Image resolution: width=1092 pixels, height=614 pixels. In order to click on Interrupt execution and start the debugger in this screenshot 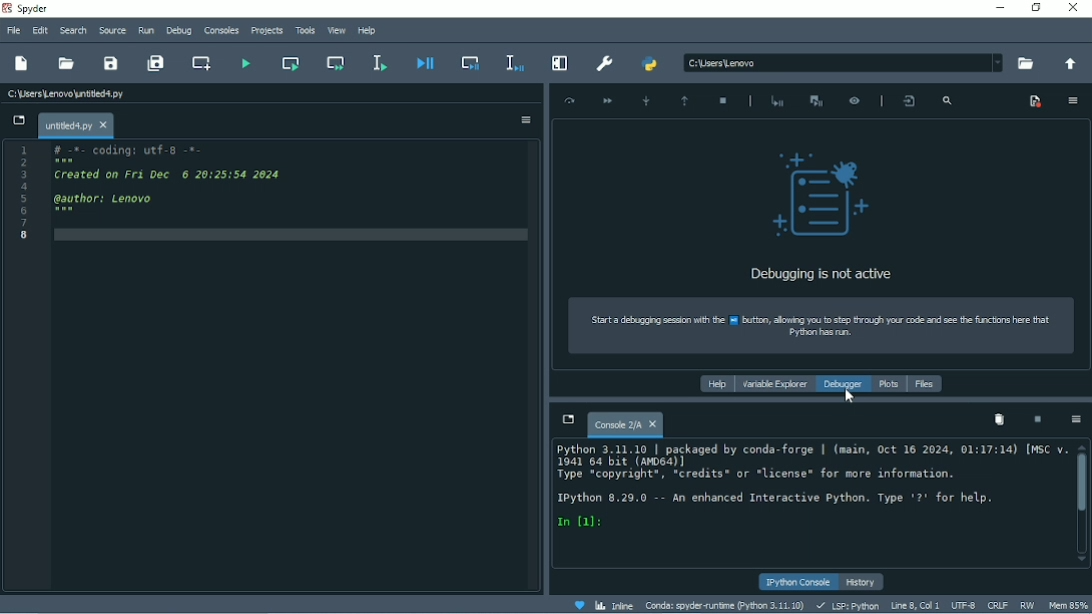, I will do `click(820, 101)`.